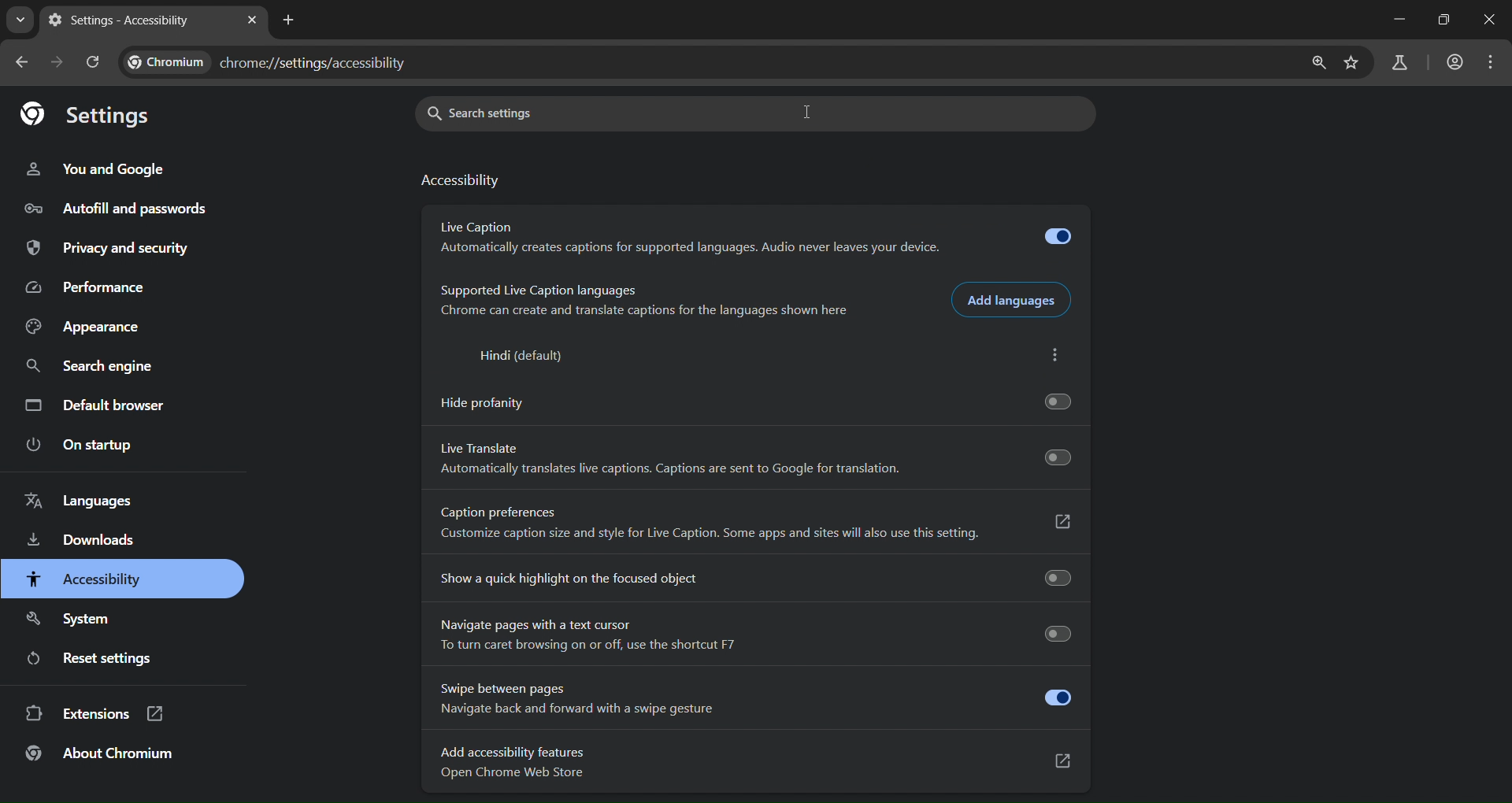 This screenshot has width=1512, height=803. What do you see at coordinates (85, 500) in the screenshot?
I see `languages` at bounding box center [85, 500].